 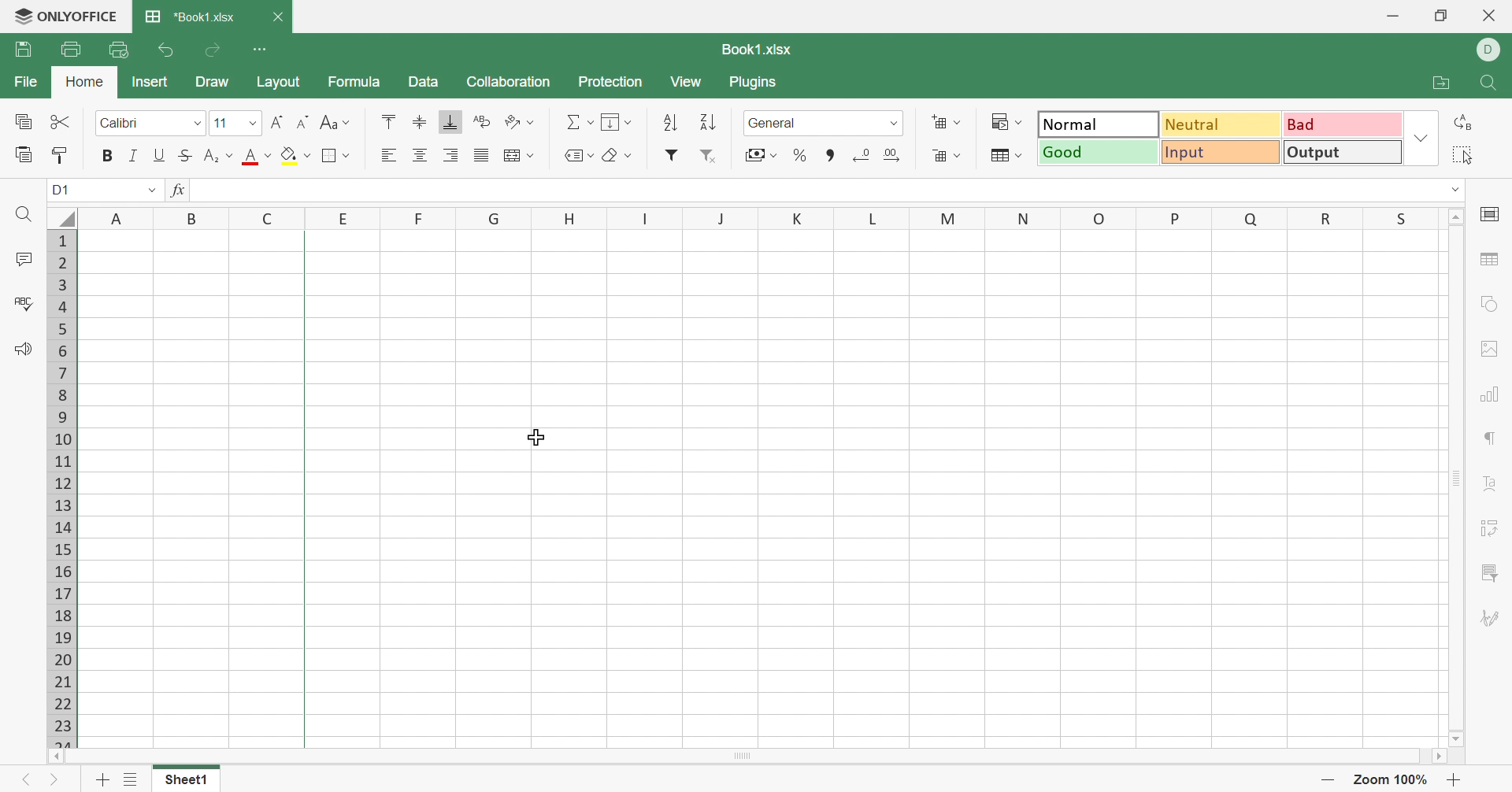 What do you see at coordinates (1095, 123) in the screenshot?
I see `Normal` at bounding box center [1095, 123].